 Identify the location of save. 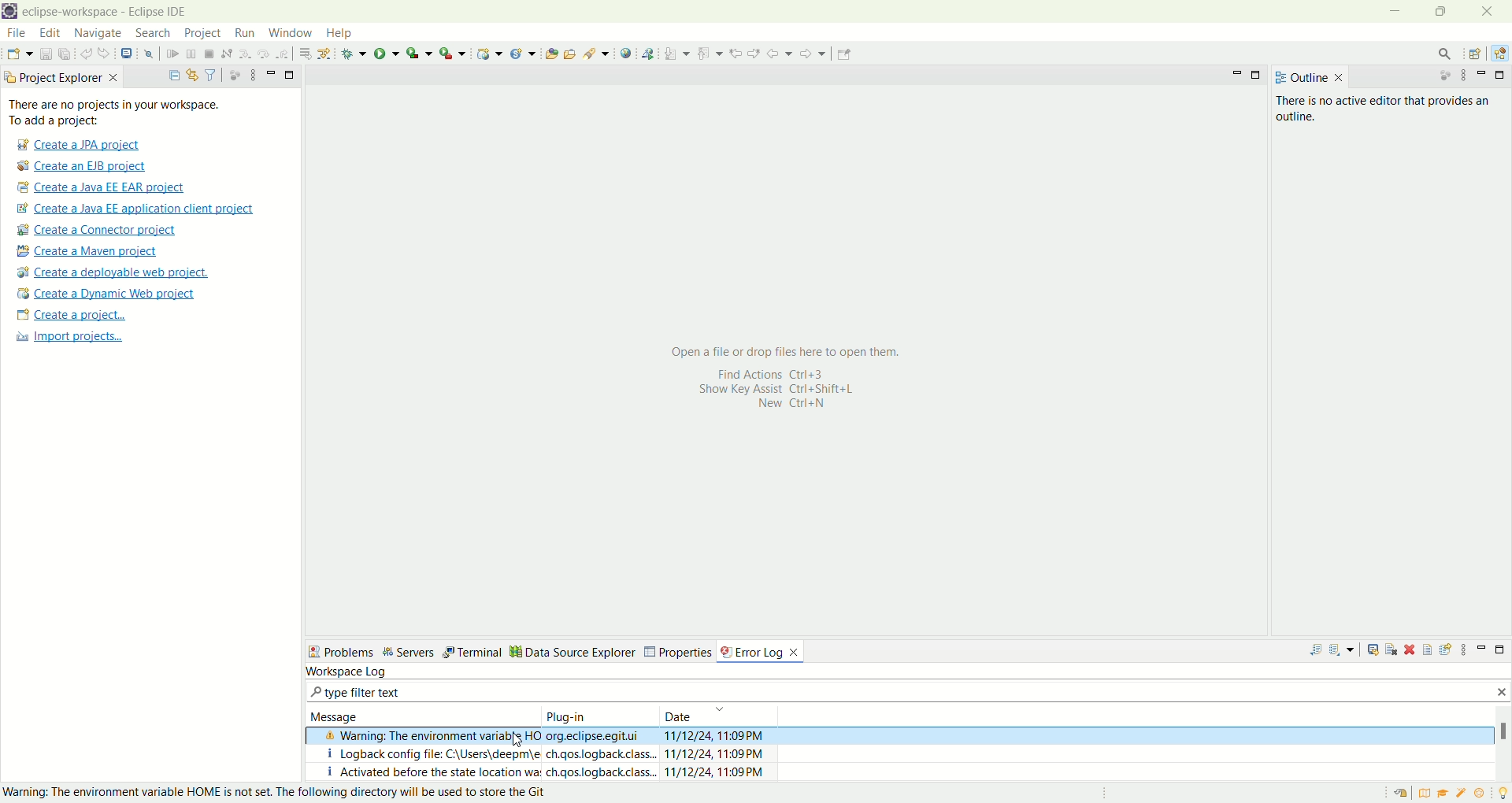
(45, 54).